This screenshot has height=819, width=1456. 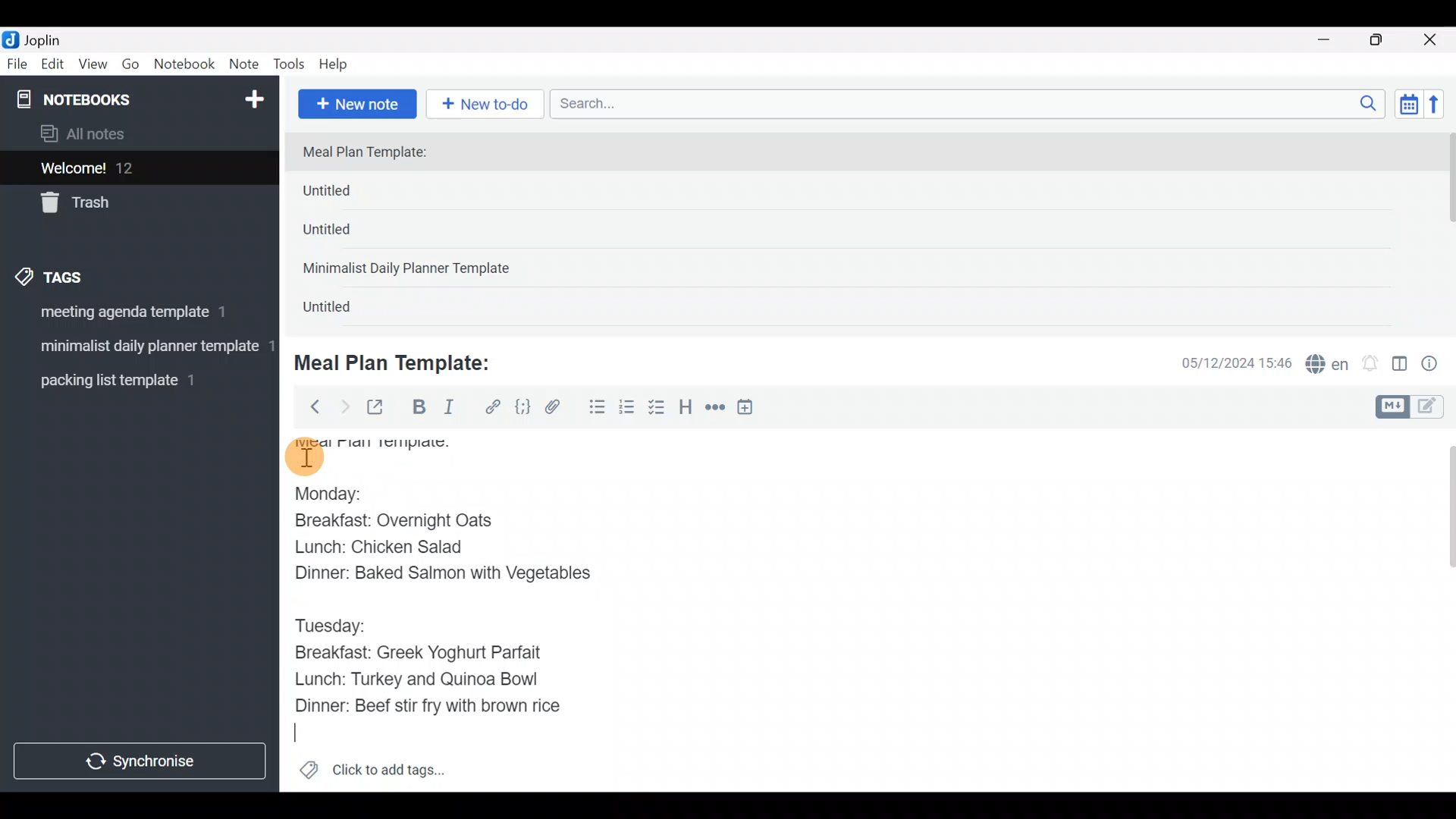 I want to click on Reverse sort, so click(x=1442, y=108).